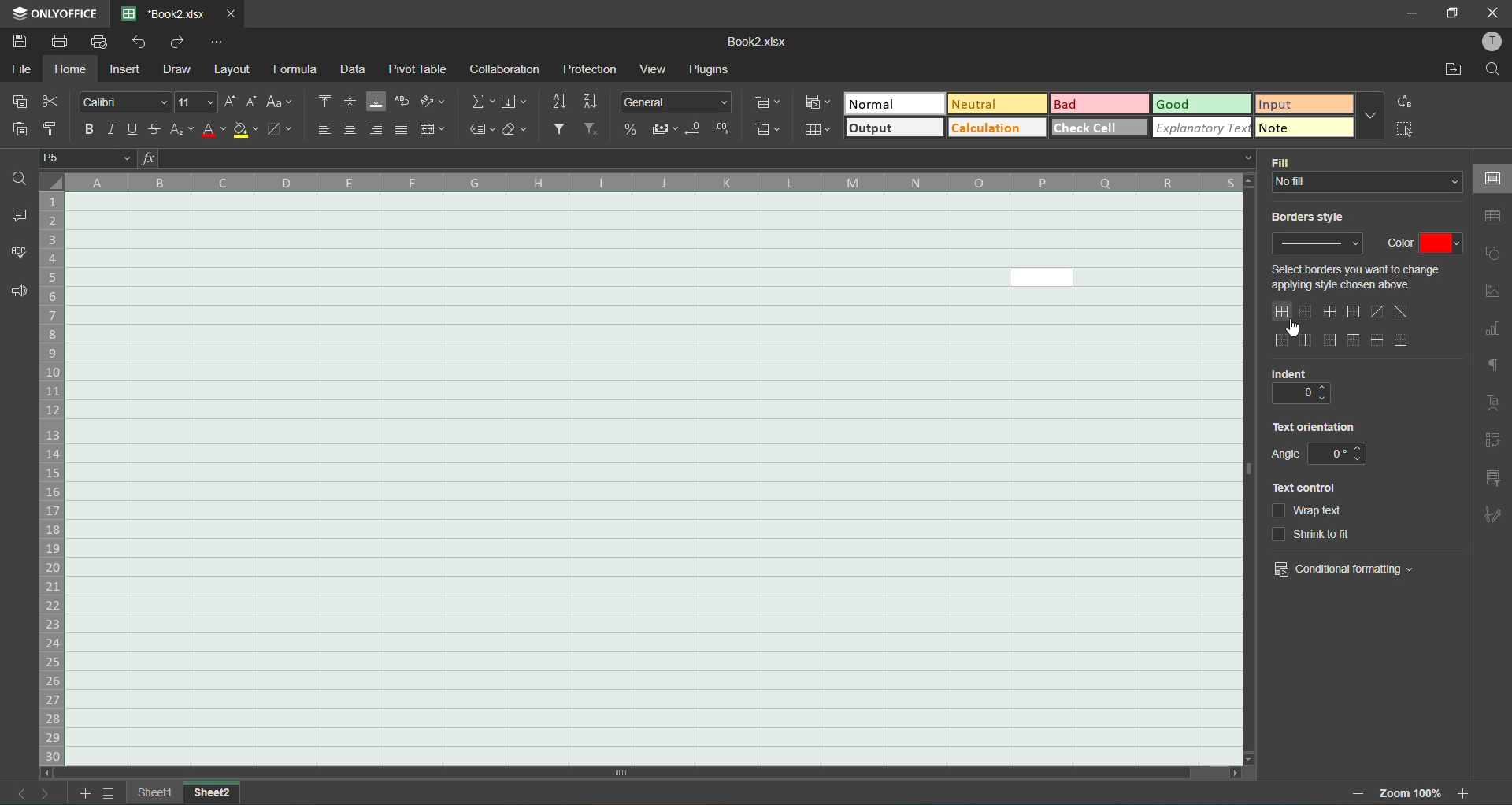 The height and width of the screenshot is (805, 1512). Describe the element at coordinates (1307, 339) in the screenshot. I see `vertical lines inner only` at that location.